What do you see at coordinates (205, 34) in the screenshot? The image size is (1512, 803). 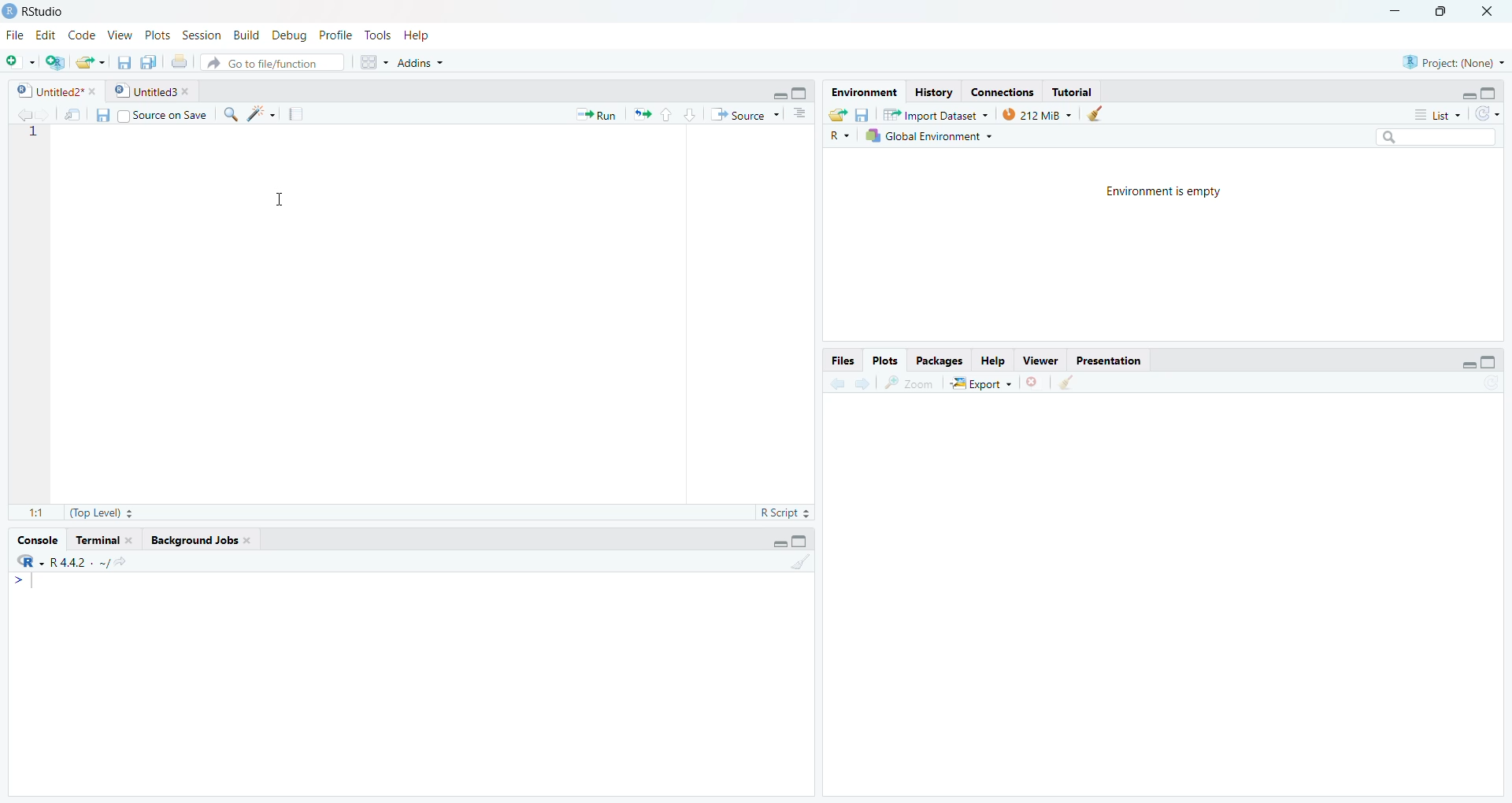 I see `session` at bounding box center [205, 34].